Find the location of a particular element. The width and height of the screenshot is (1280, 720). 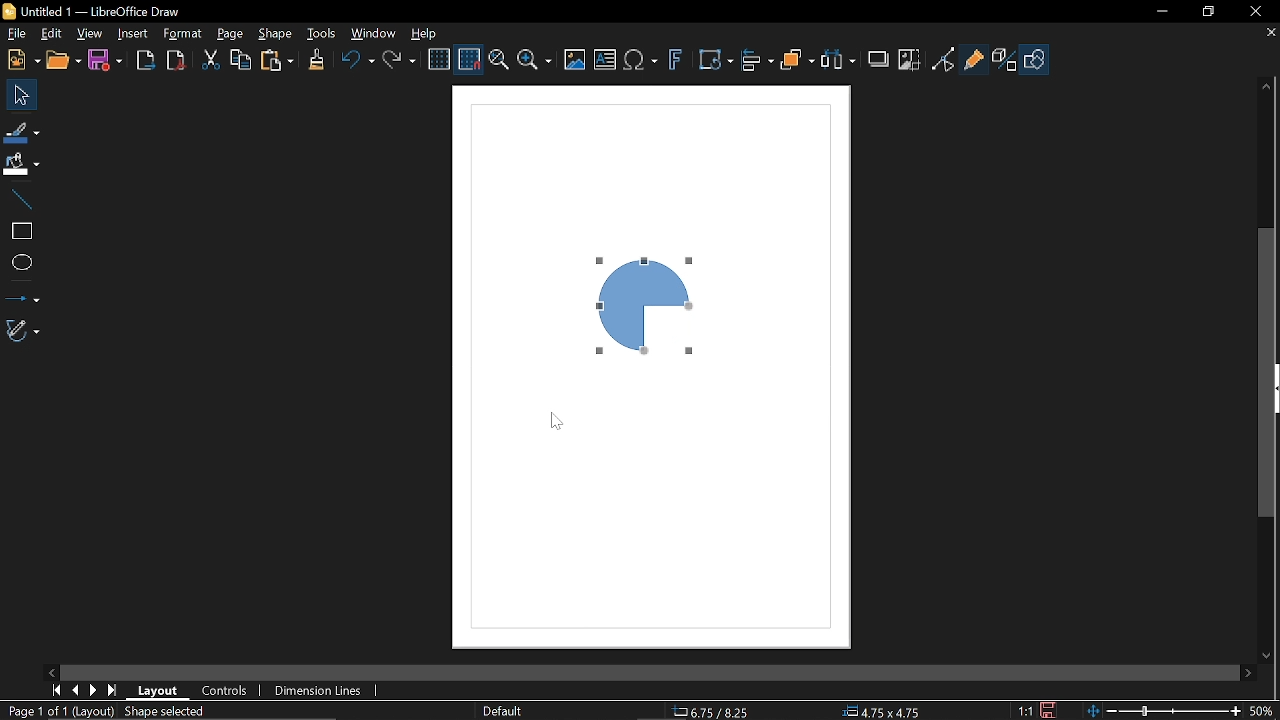

Close tab is located at coordinates (1270, 33).